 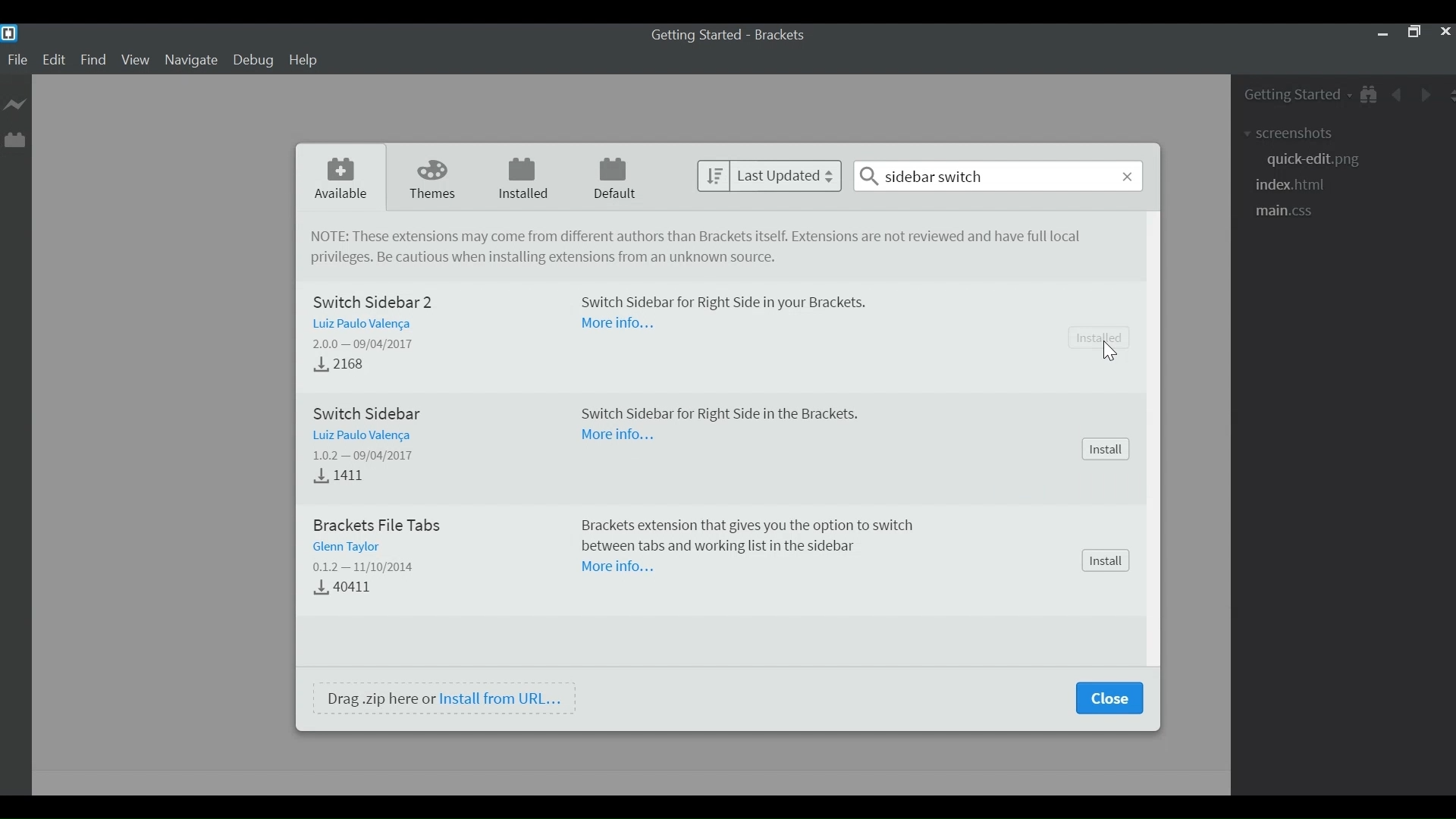 I want to click on Drag .zip here or, so click(x=379, y=698).